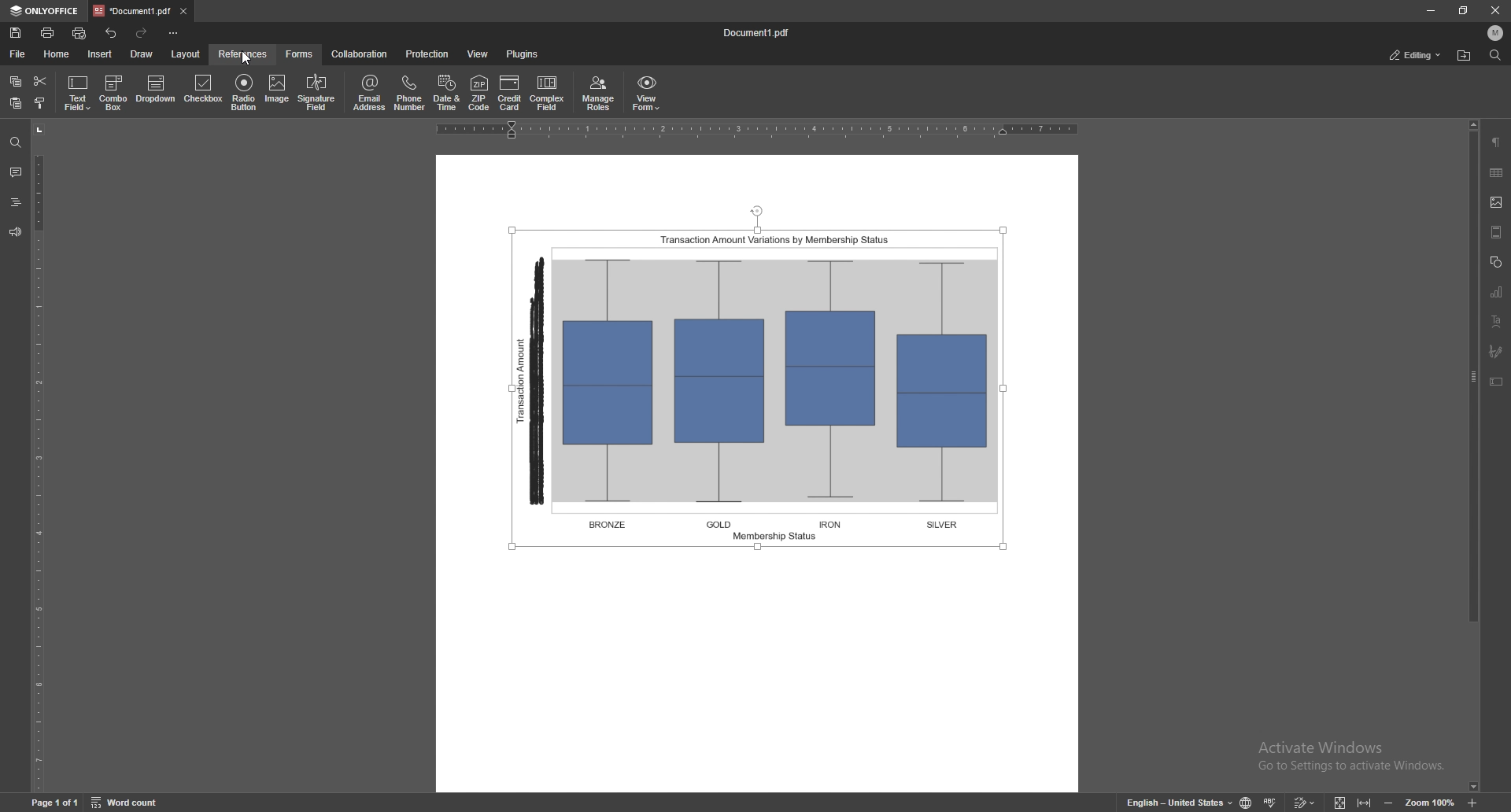  Describe the element at coordinates (277, 92) in the screenshot. I see `image` at that location.